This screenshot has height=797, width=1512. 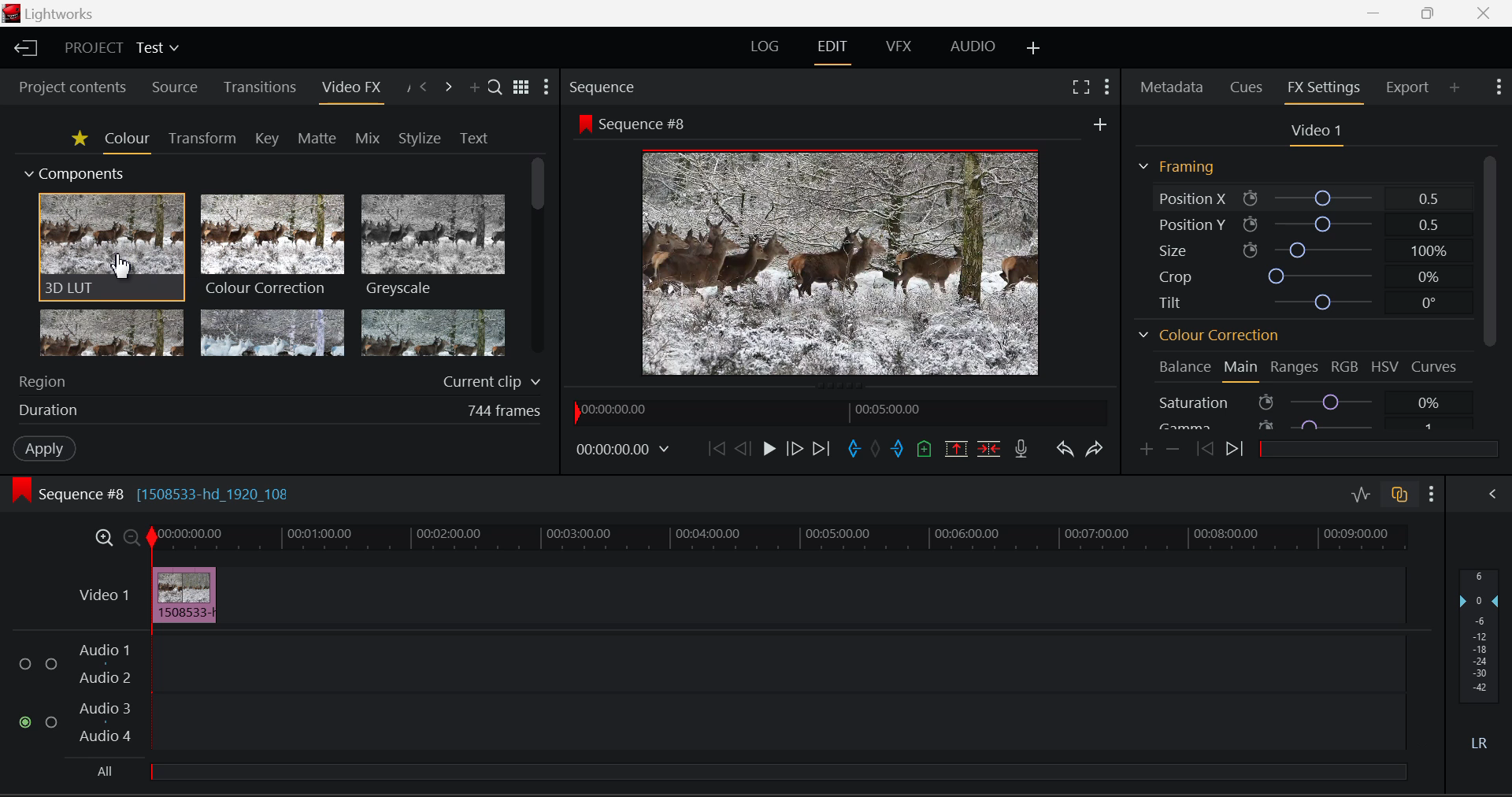 What do you see at coordinates (112, 335) in the screenshot?
I see `Glow` at bounding box center [112, 335].